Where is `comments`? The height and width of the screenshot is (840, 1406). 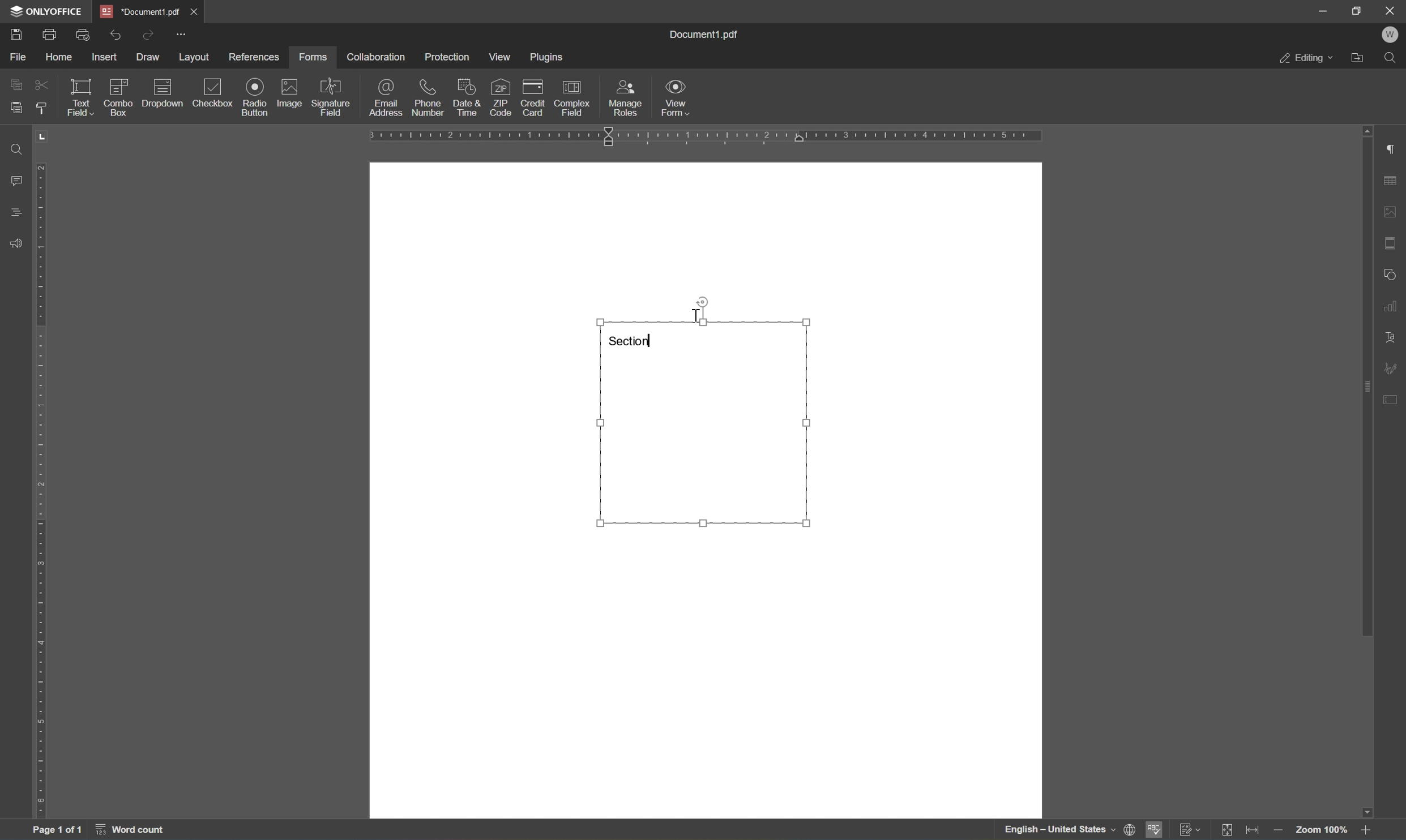
comments is located at coordinates (15, 179).